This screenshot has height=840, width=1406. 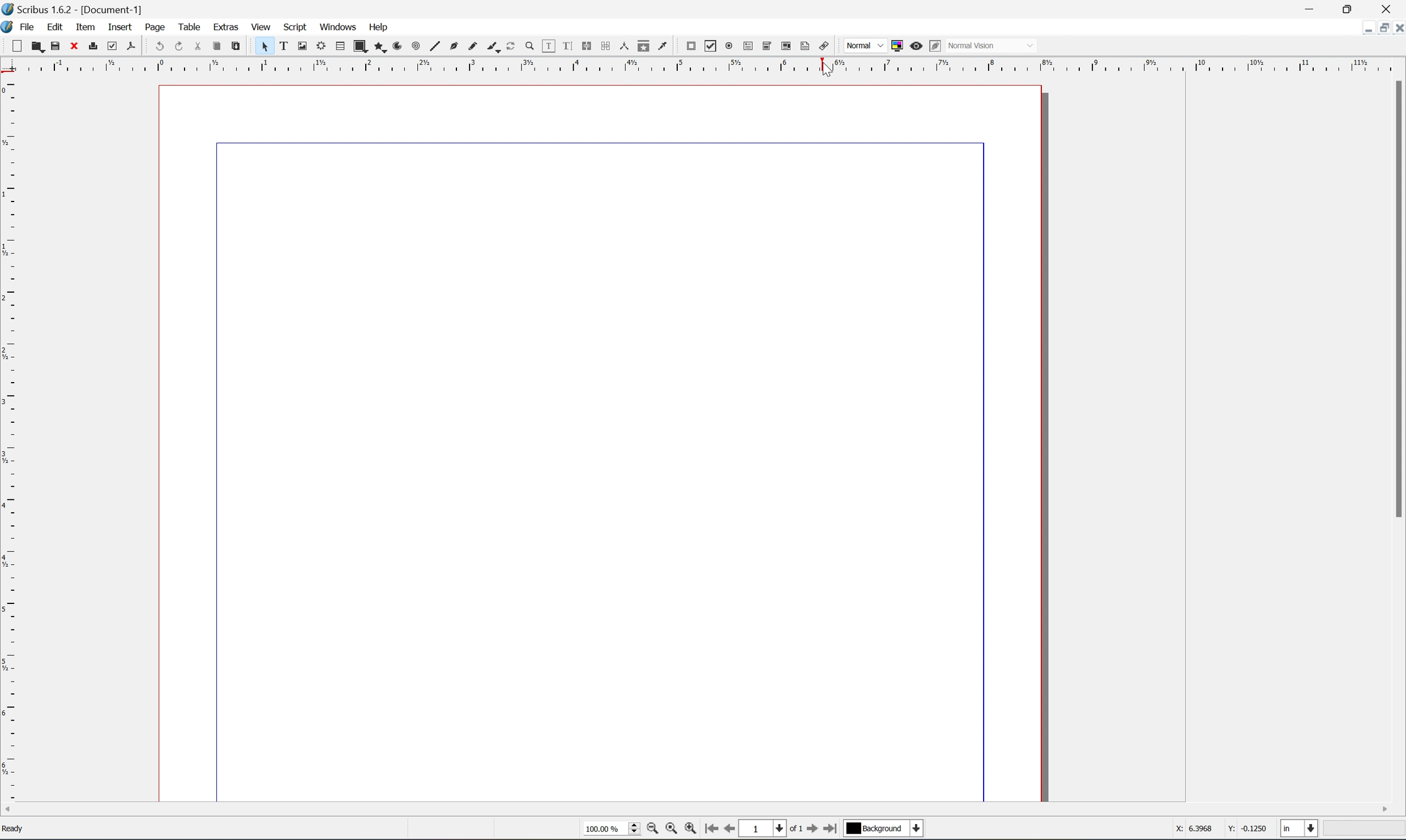 What do you see at coordinates (52, 25) in the screenshot?
I see `edit` at bounding box center [52, 25].